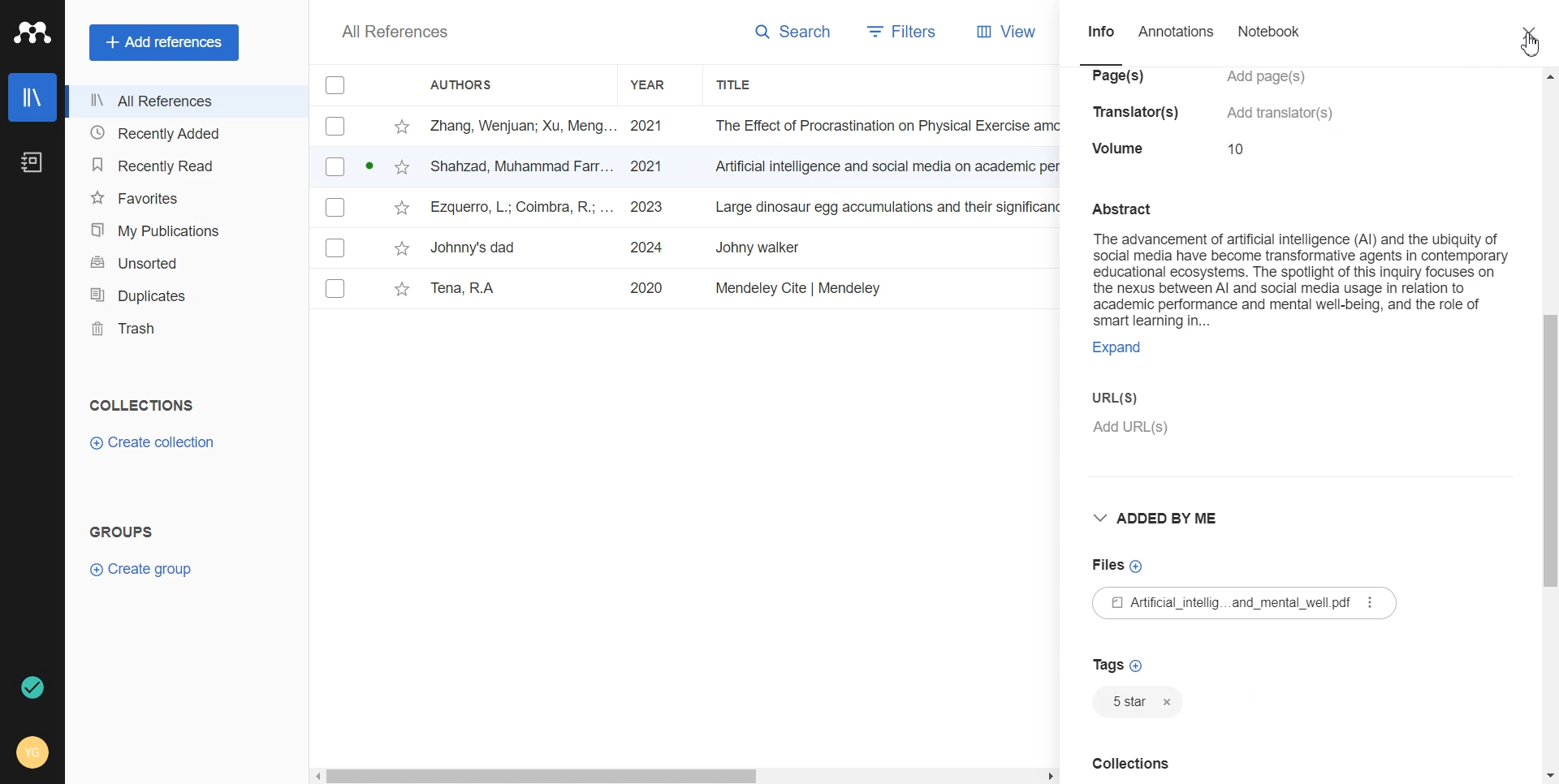 The width and height of the screenshot is (1559, 784). Describe the element at coordinates (686, 126) in the screenshot. I see `File` at that location.